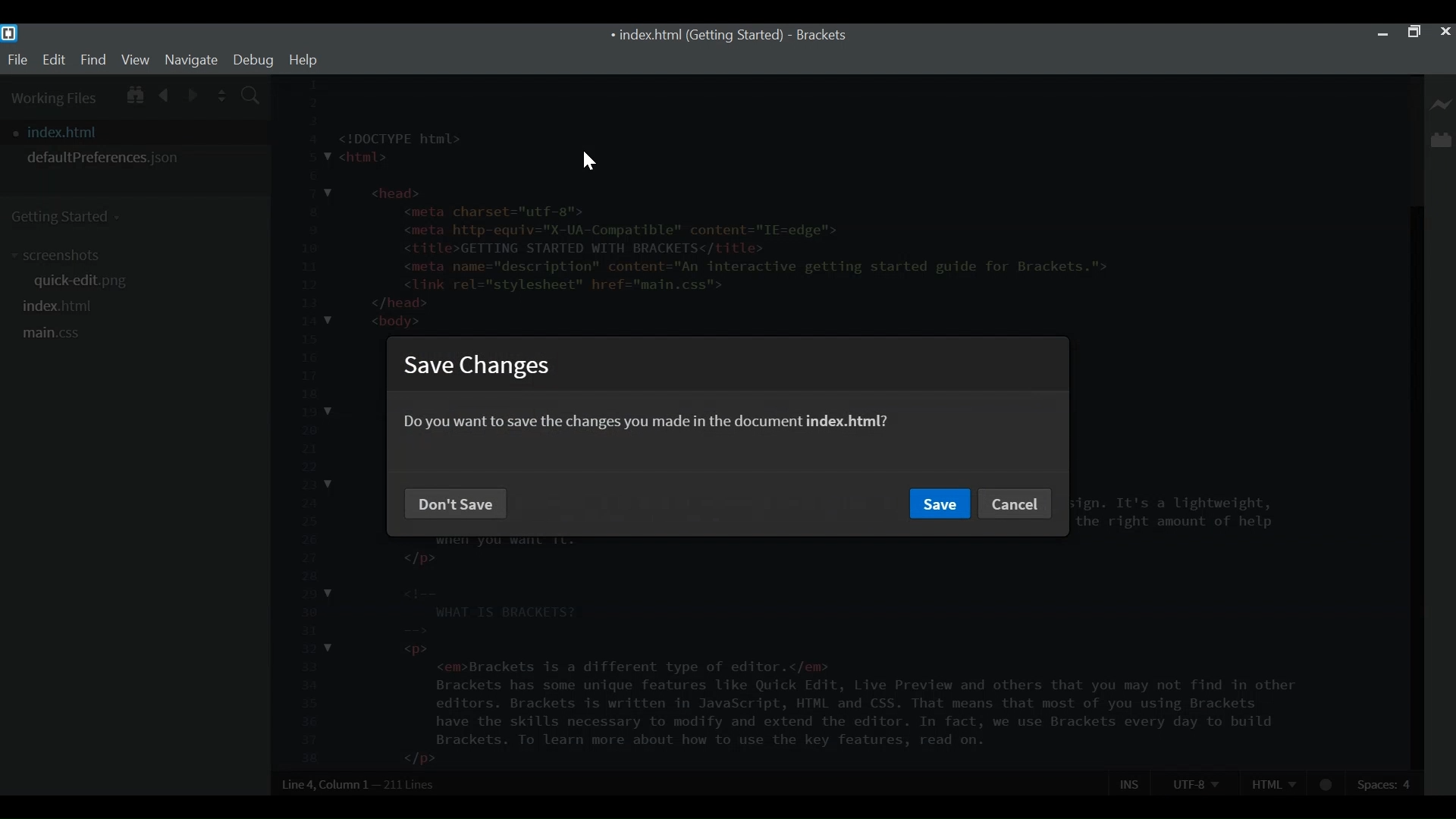  Describe the element at coordinates (60, 306) in the screenshot. I see `index.html` at that location.